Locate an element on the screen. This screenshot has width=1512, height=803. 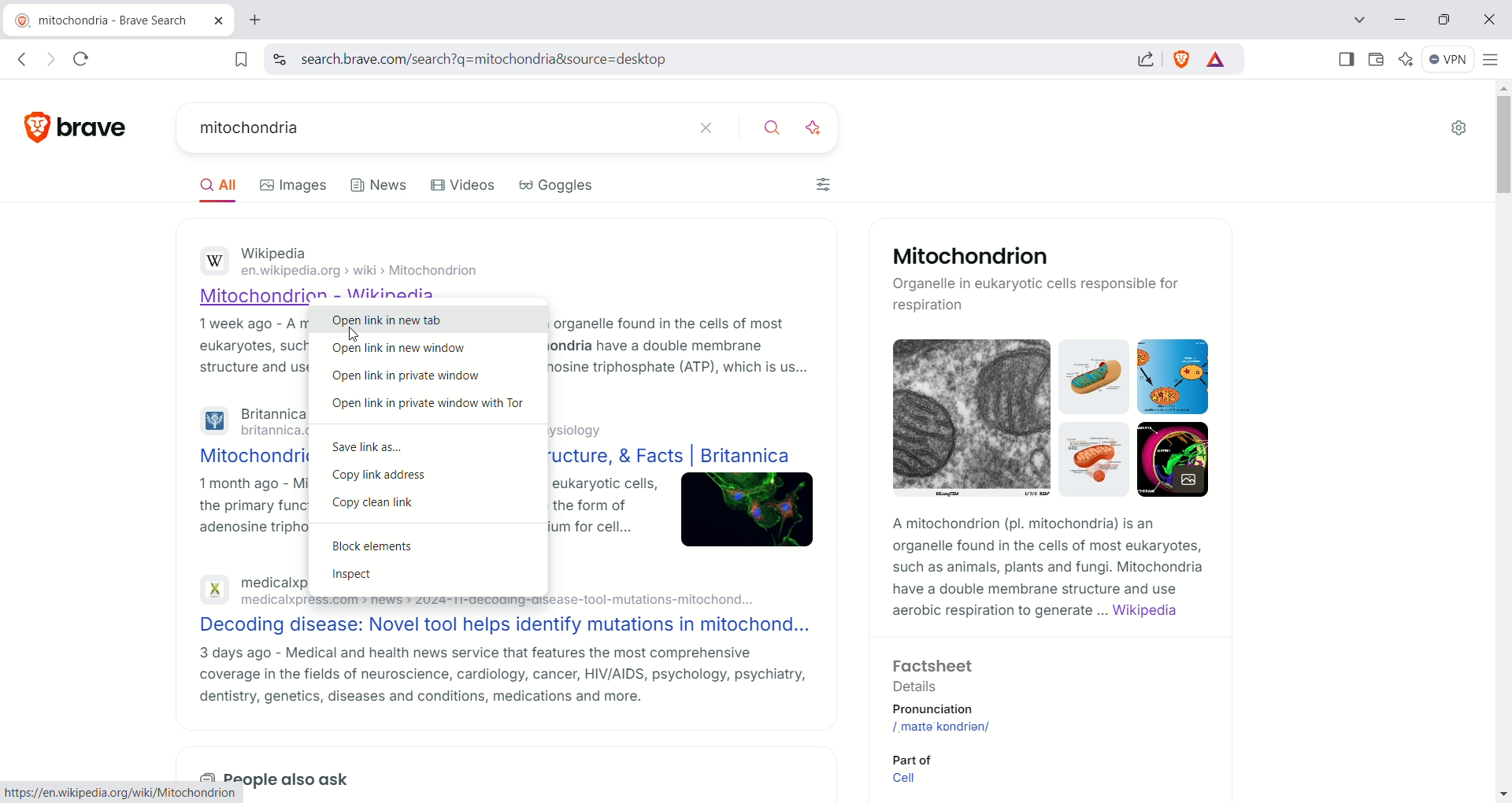
search bar is located at coordinates (420, 129).